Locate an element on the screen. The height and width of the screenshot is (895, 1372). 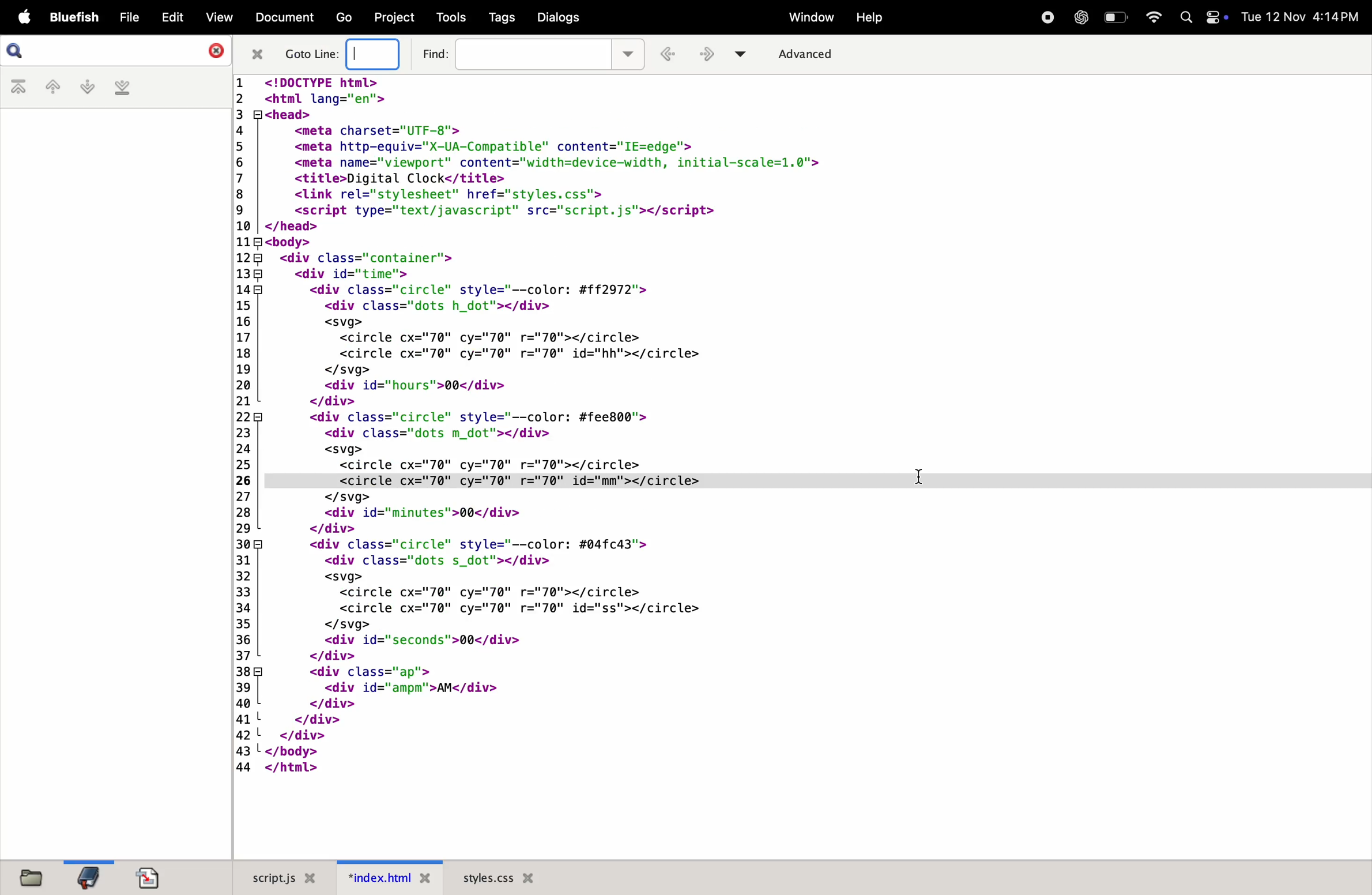
<!DOCTYFE htmi><html lang="en">-<head><meta charset="UTF-8"><meta http-equiv="X-UA-Compatible" content="IE=edge"><meta name="viewport" content="width=device-width, initial-scale=1.0"><title>Digital Clock</title><link rel="stylesheet" href="styles.css"><script type="text/javascript" src="script.js"></script></head><body>1 <div class="container">=| <div id="time">] <div class="circle" style="--color: #ff2972"><div class="dots h_dot"></div><svg><circle cx="70" cy="70" r="70"></circle><circle cx="70" cy="70" r="70" id="hh"></circle></svg><div id="hours">00</div></div>] <div class="circle" style="--color: #fee800"><div class="dots m_dot"></div><svg><circle cx="70" cy="70" r="70"></circle><circle cx="70" cy="70" r="70" id="mm"></circle></svg><div id="minutes">00</div></div>] <div class="circle" style="--color: #04fc43"><div class="dots s_dot"></div><svg><circle cx="70" cy="70" r="70"></circle><circle cx="70" cy="70" r="70" id="ss'"></circle></svg><div id="seconds">00</div></div>= <div class="ap">[ <div id="ampm">AM</div></div>L </div>lL </div>L </body></html> is located at coordinates (577, 425).